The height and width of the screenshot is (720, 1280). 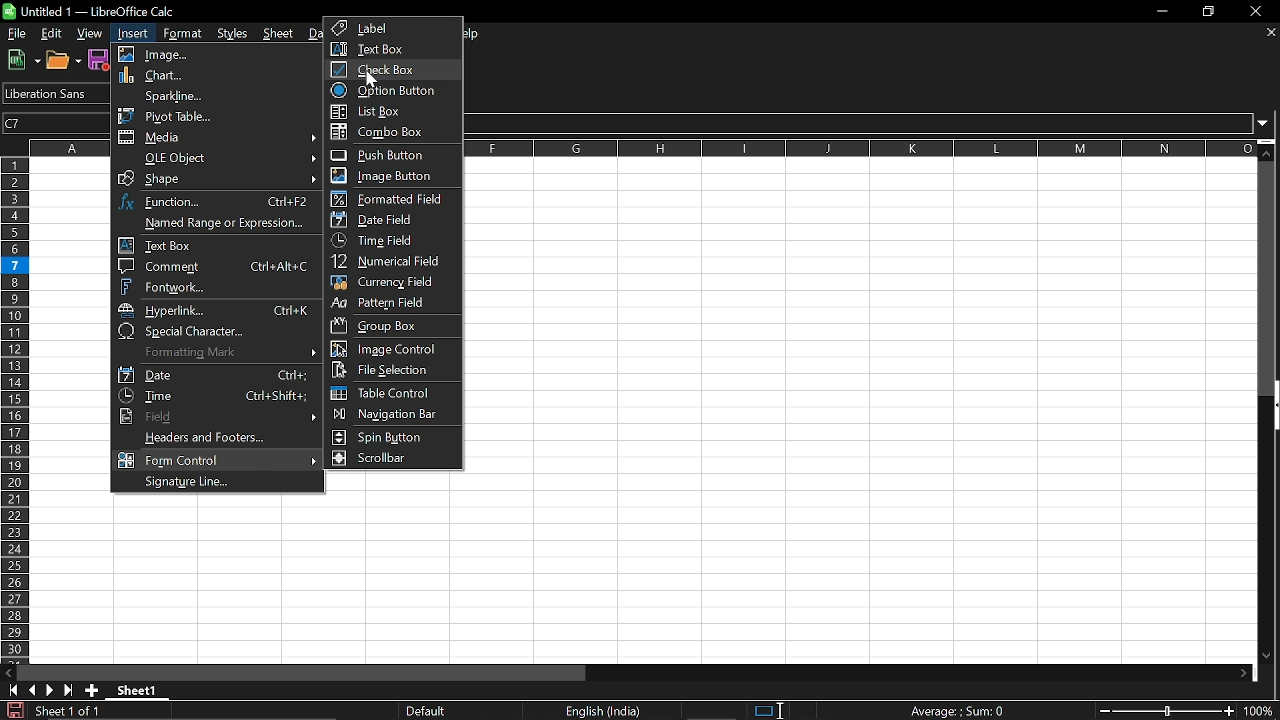 I want to click on Format, so click(x=179, y=34).